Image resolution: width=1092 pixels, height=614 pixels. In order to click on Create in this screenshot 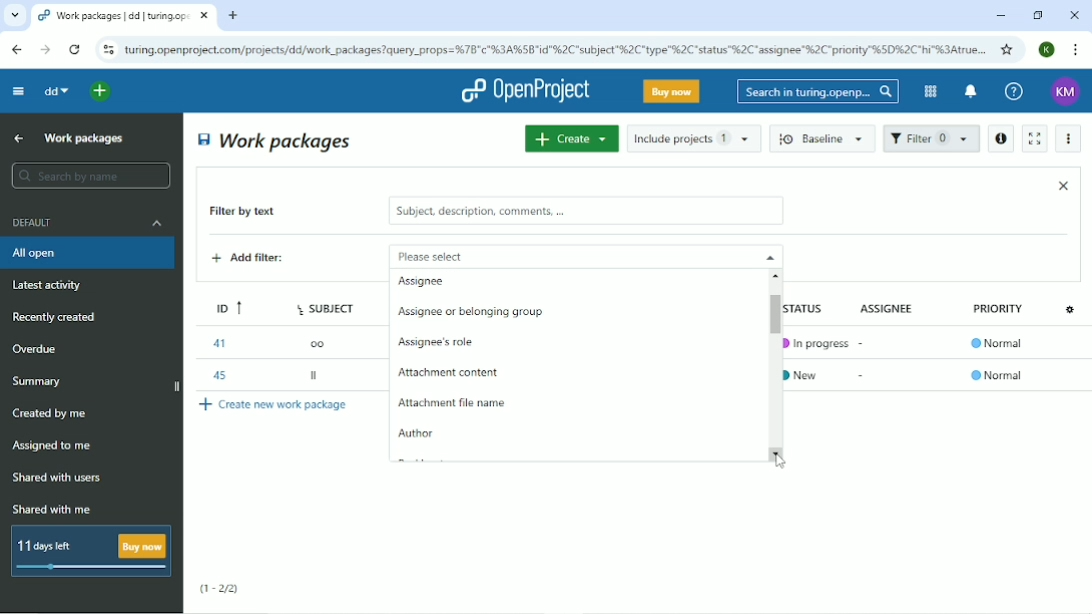, I will do `click(571, 138)`.